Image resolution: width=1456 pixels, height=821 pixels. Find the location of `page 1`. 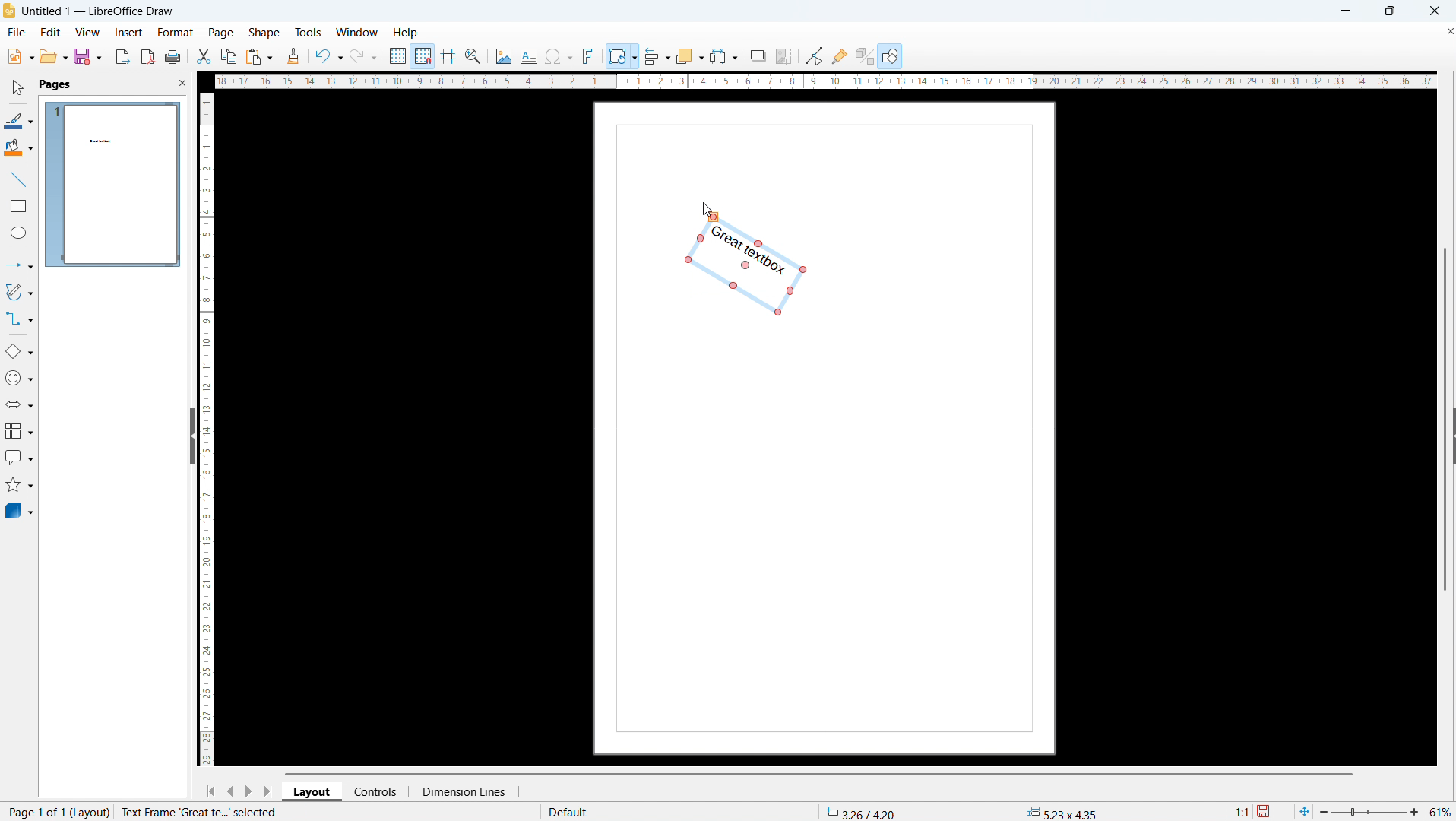

page 1 is located at coordinates (113, 184).